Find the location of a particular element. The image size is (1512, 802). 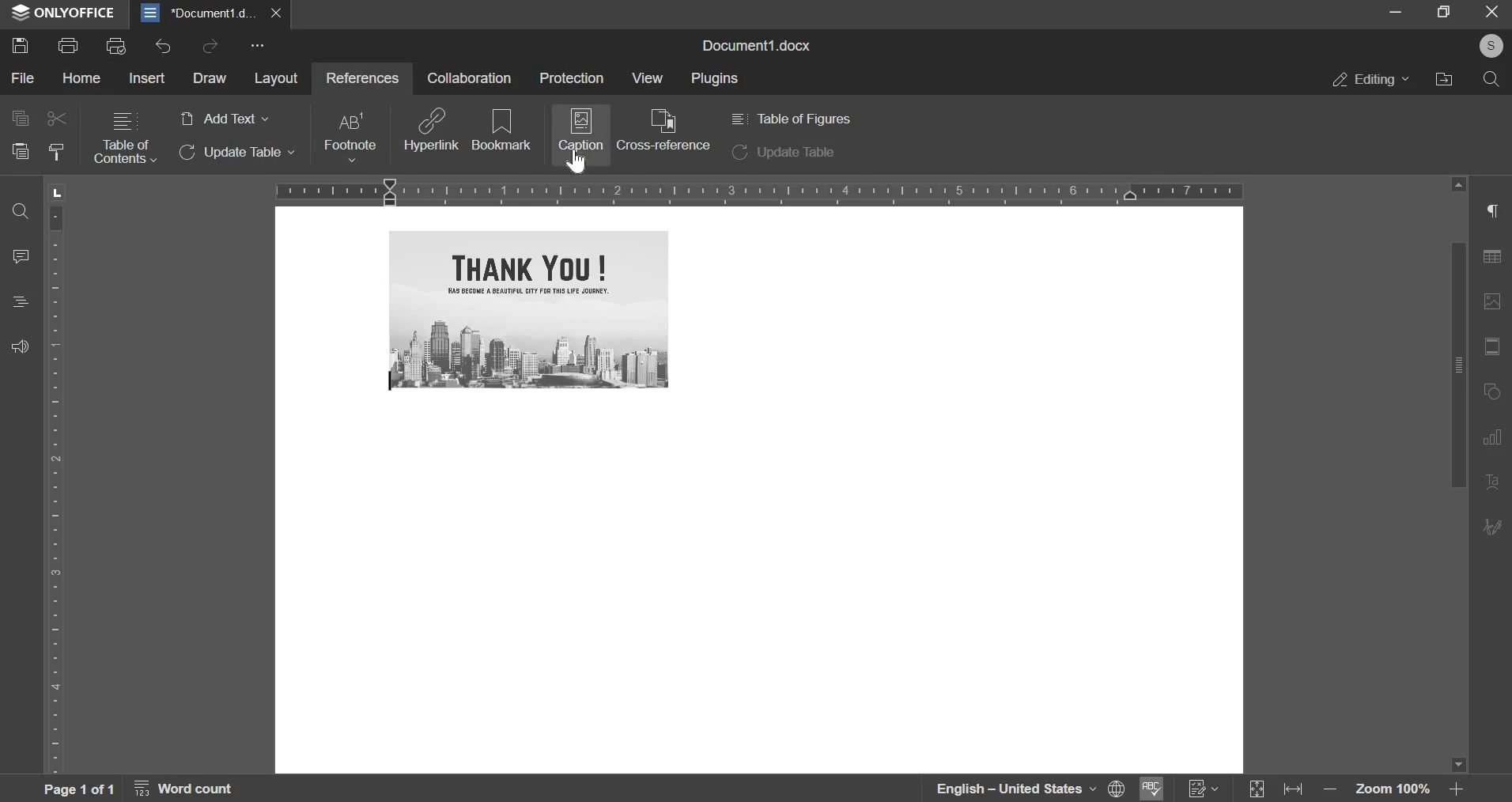

fit is located at coordinates (1297, 791).